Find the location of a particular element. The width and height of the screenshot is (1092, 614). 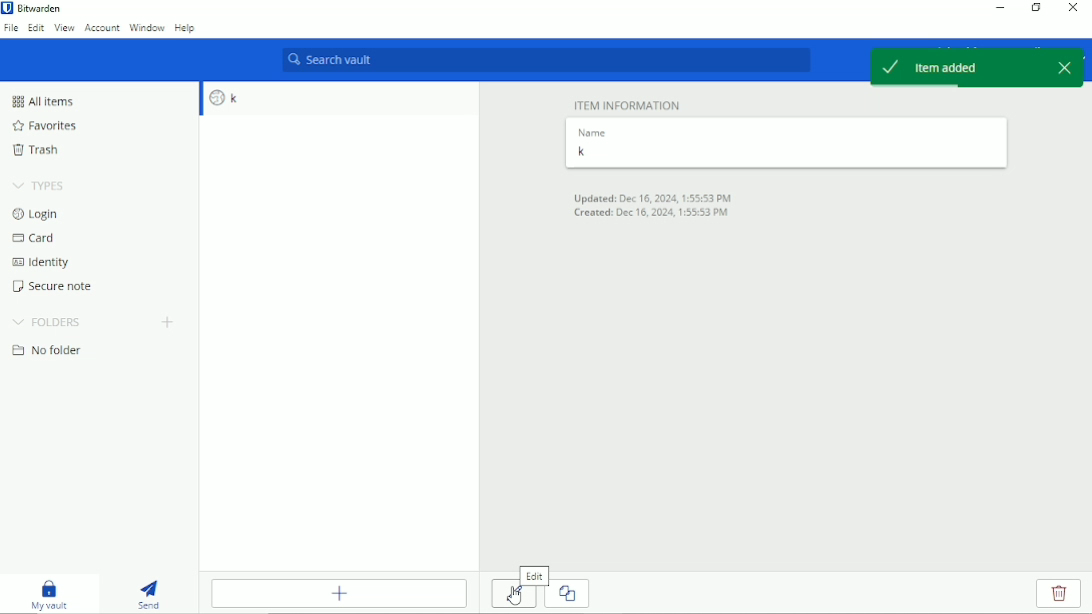

Bitwarden is located at coordinates (40, 8).